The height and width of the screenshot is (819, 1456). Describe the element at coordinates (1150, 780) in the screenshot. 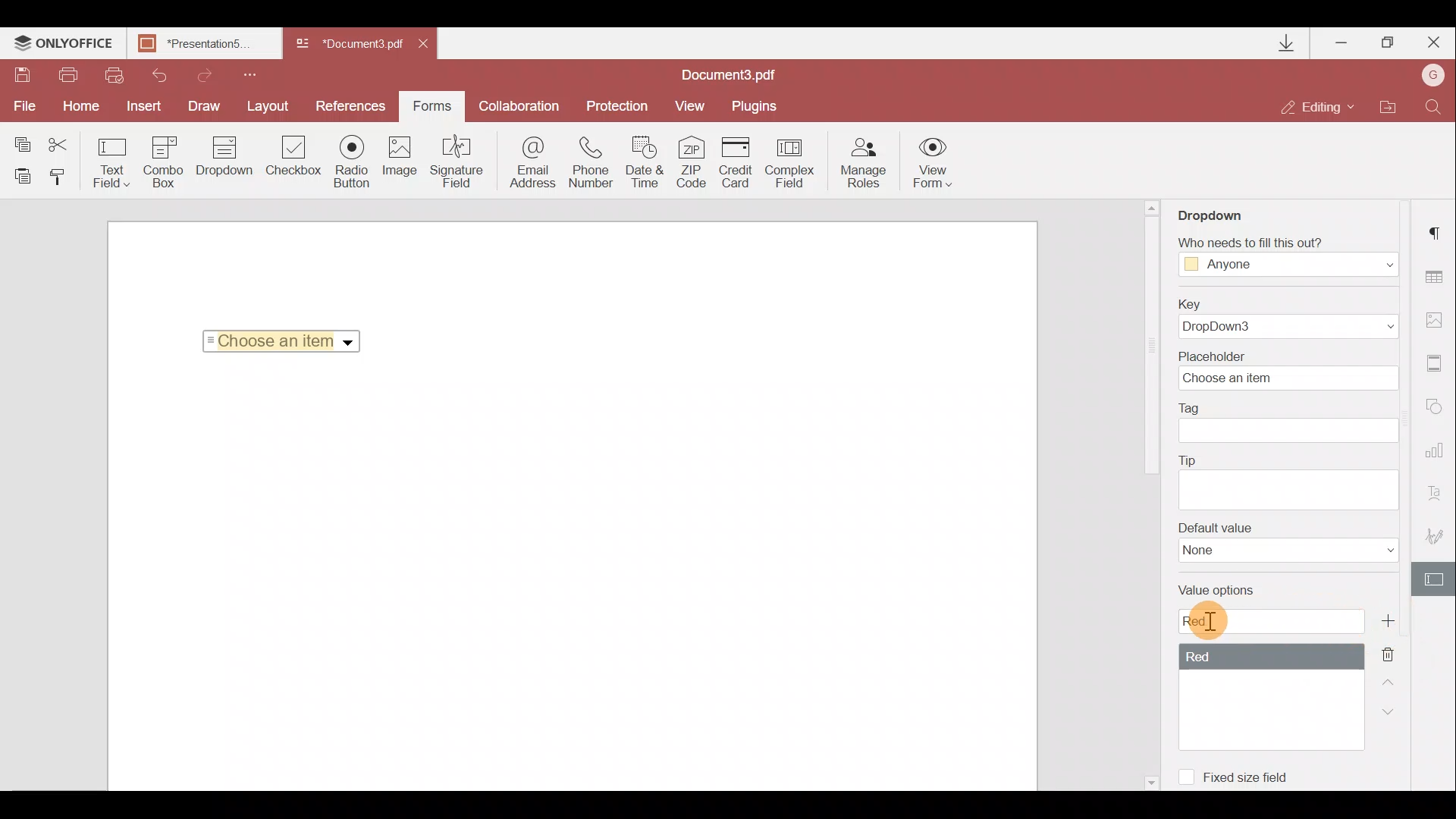

I see `Scroll down` at that location.